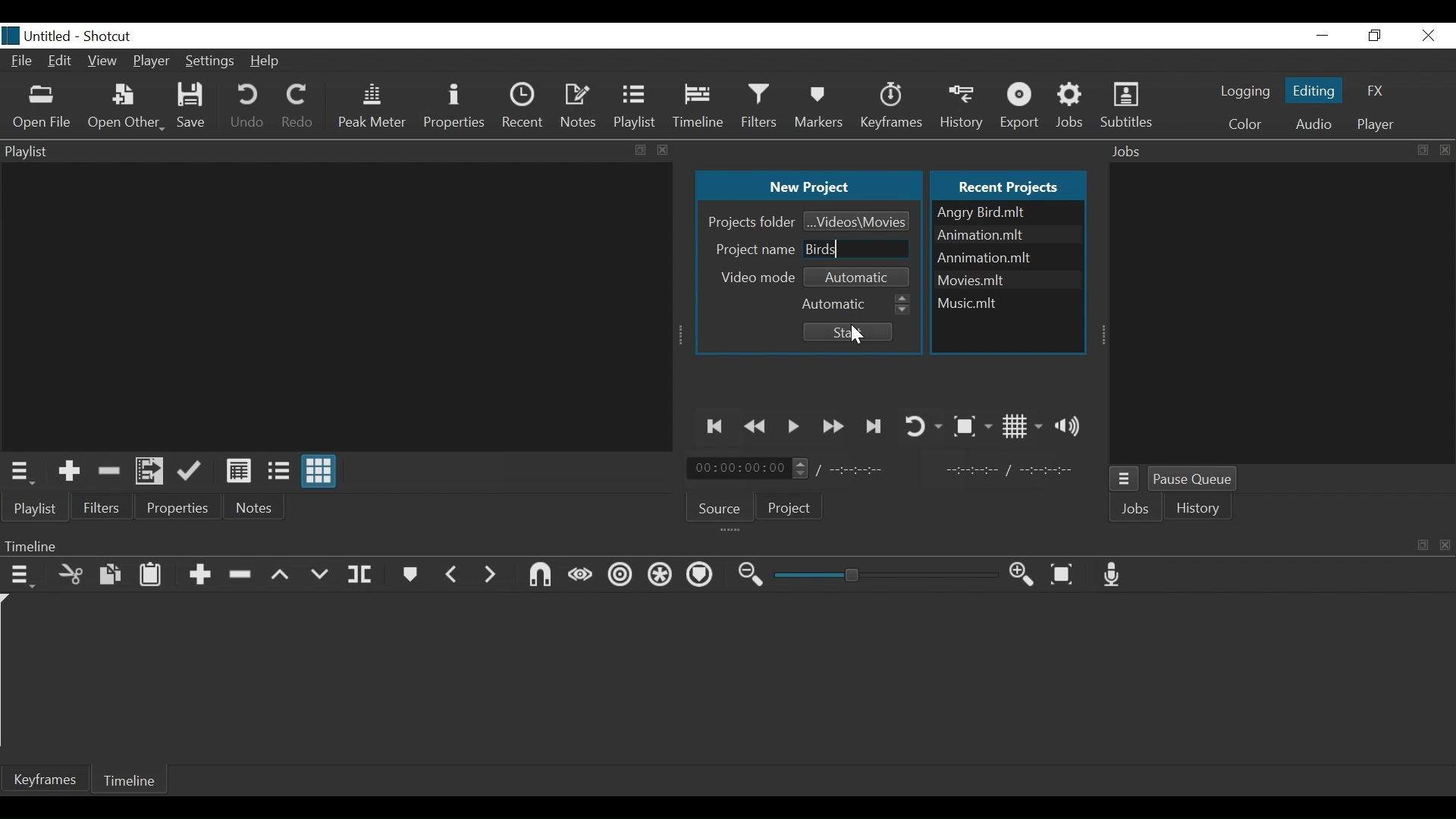  I want to click on Undo, so click(247, 108).